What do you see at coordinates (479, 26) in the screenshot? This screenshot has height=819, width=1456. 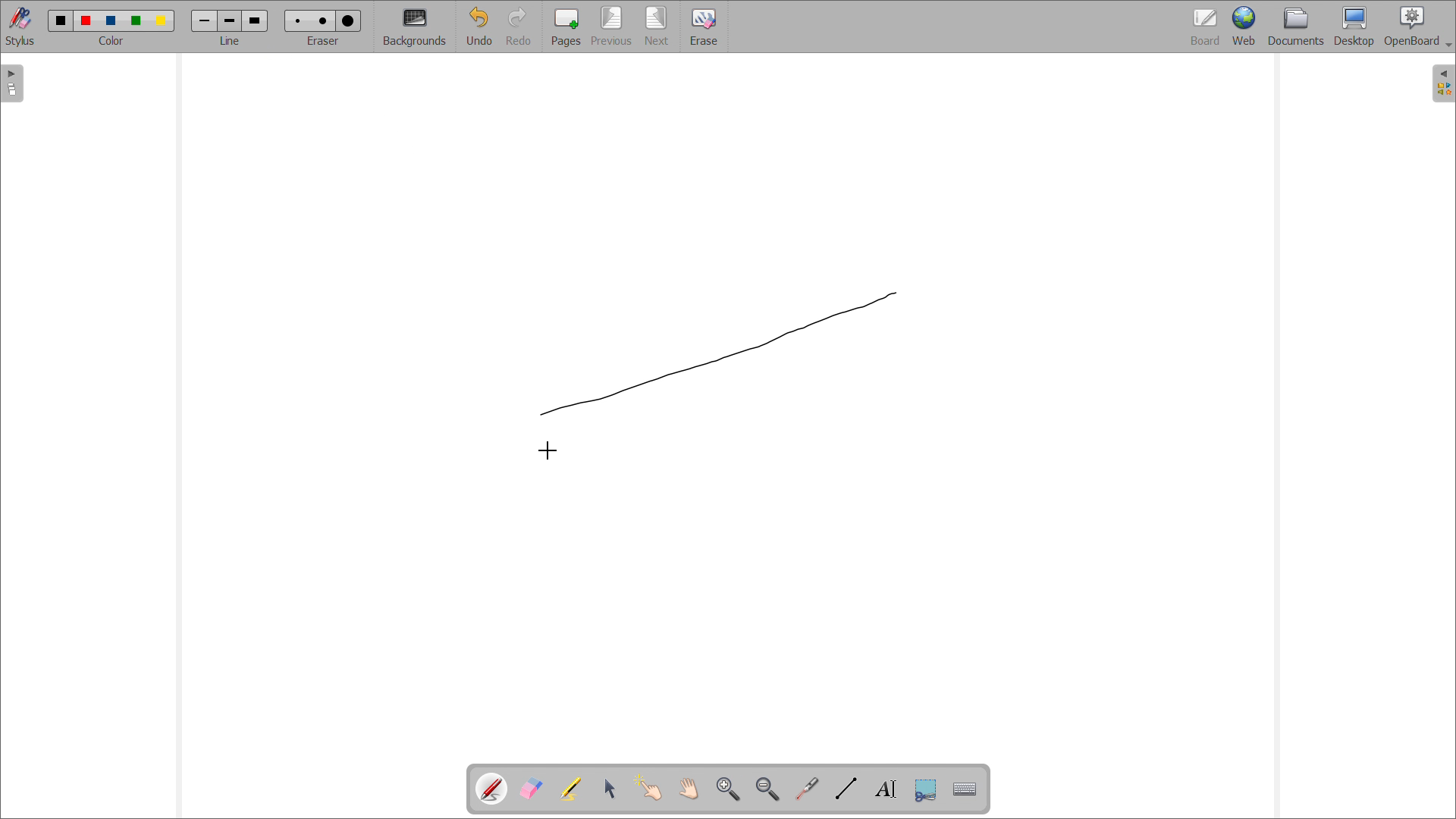 I see `undo` at bounding box center [479, 26].